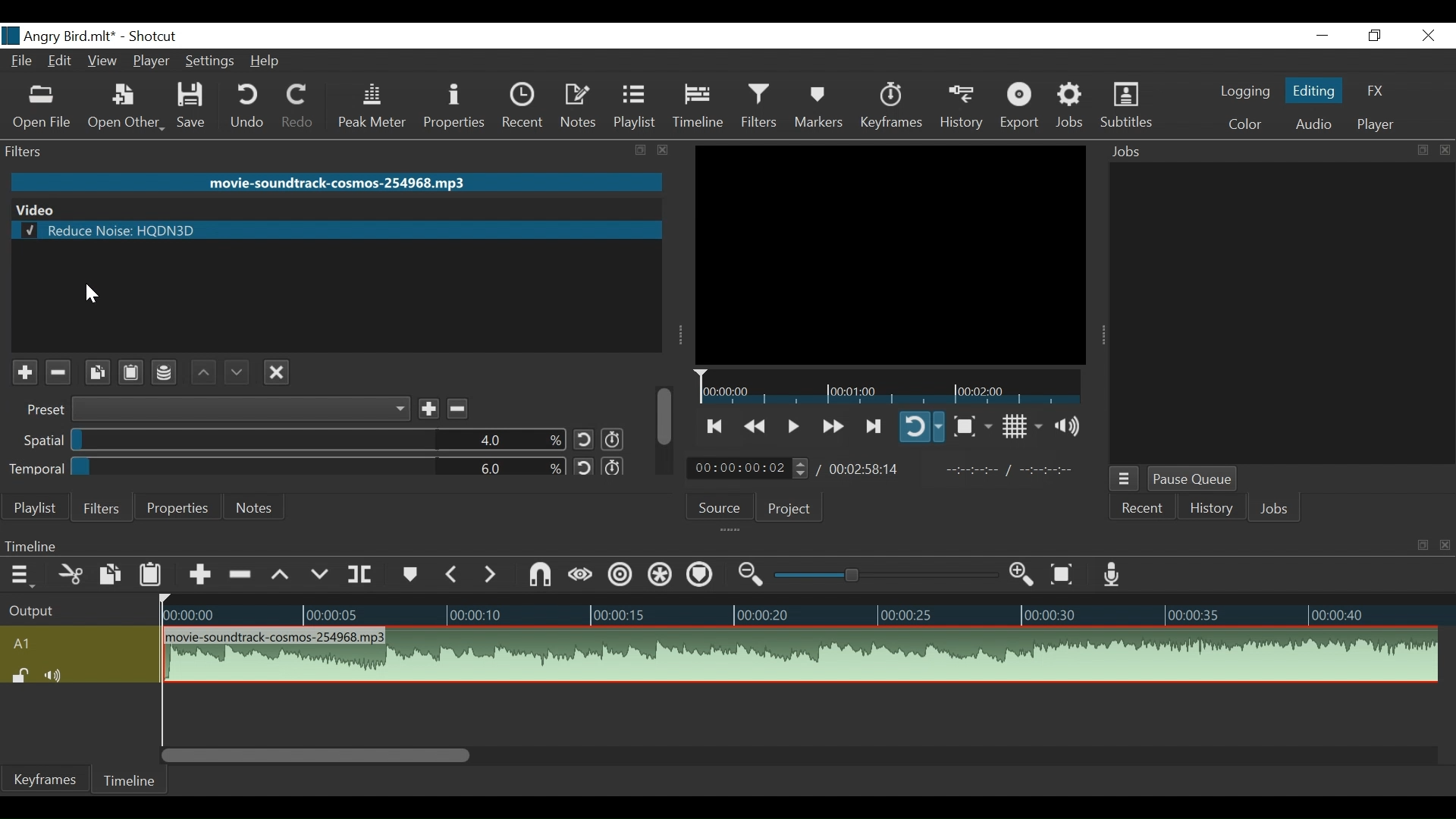  Describe the element at coordinates (335, 182) in the screenshot. I see `Audio Clip Name` at that location.